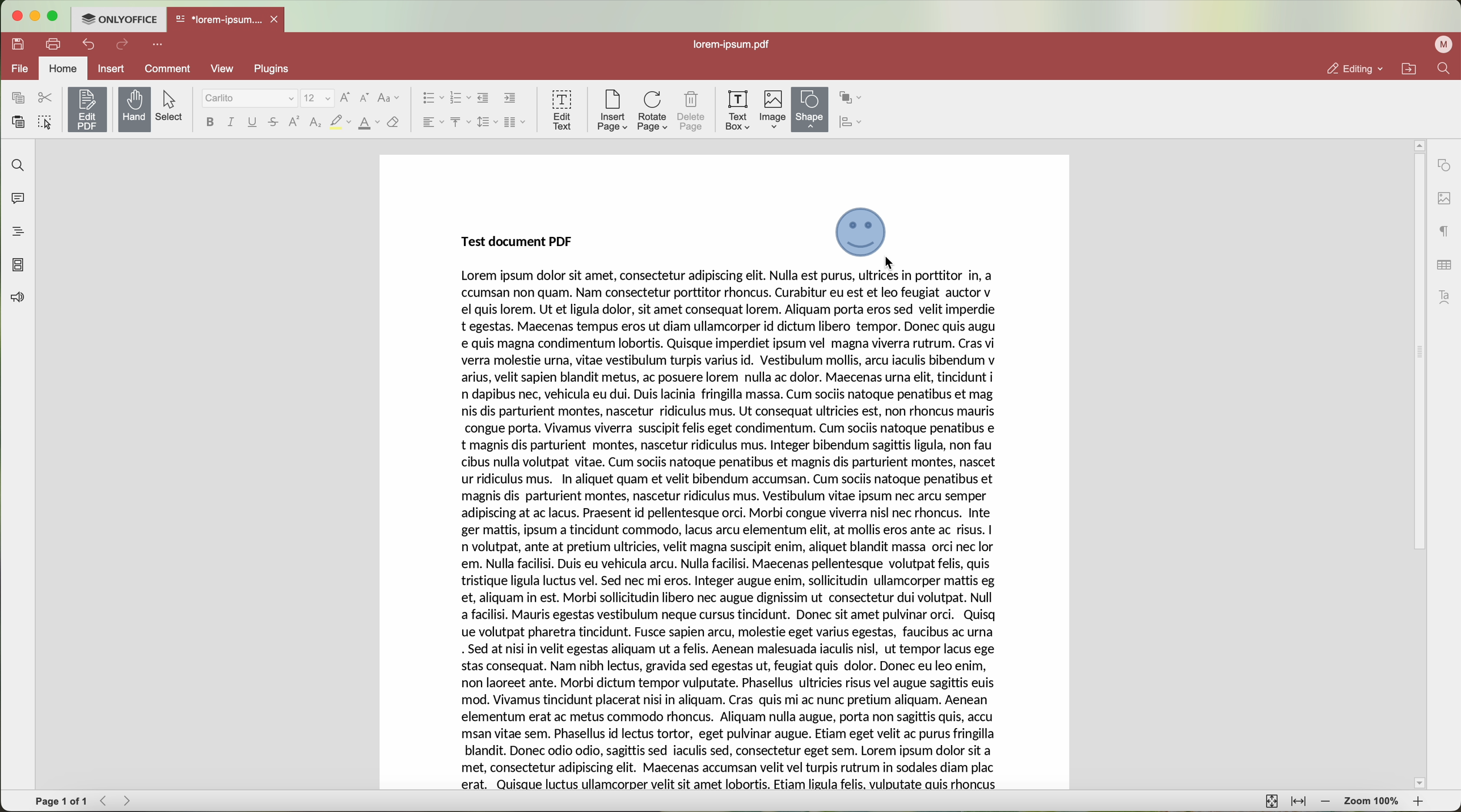 The width and height of the screenshot is (1461, 812). What do you see at coordinates (1441, 232) in the screenshot?
I see `paragraph settings` at bounding box center [1441, 232].